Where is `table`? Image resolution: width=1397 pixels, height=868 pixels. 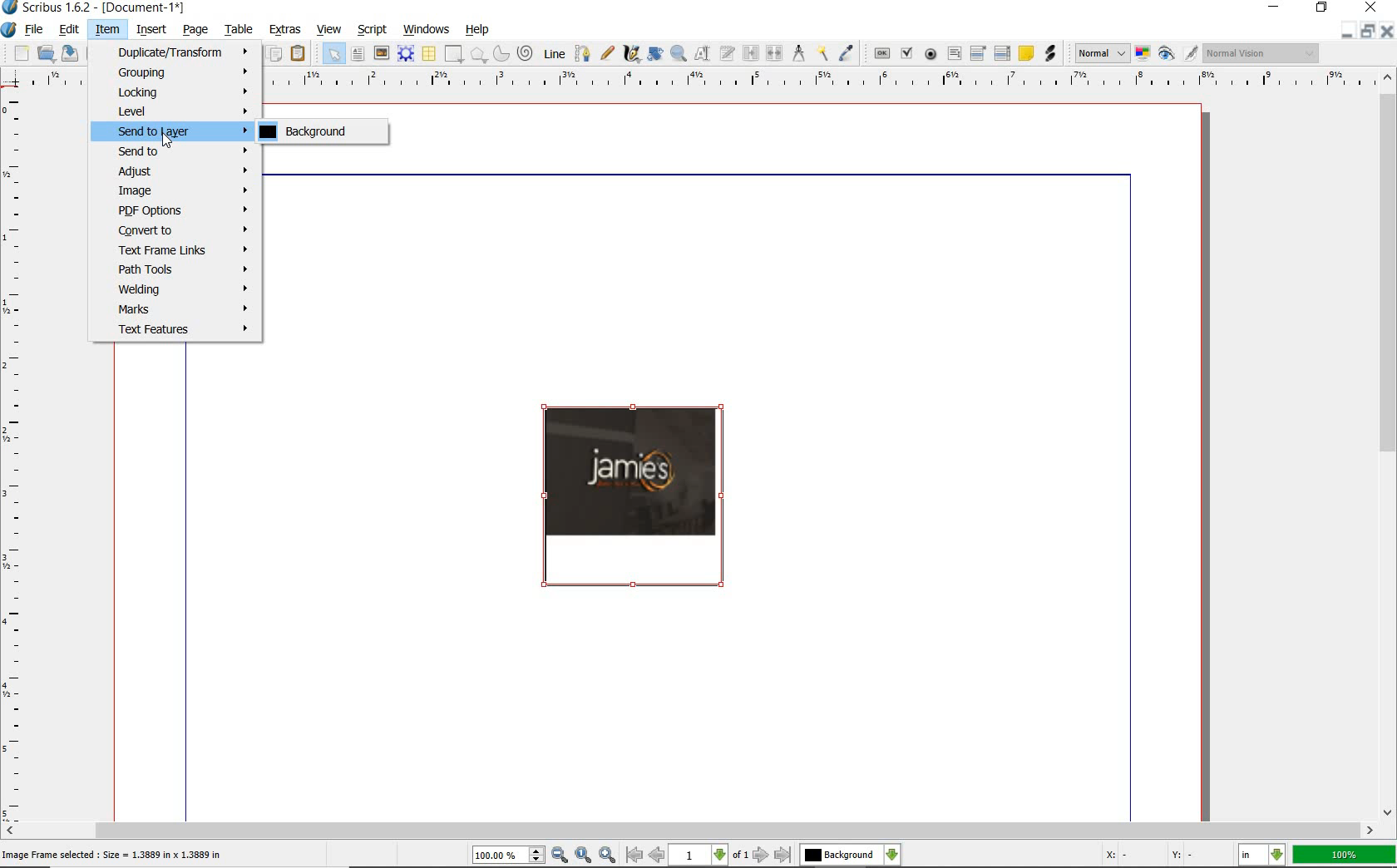 table is located at coordinates (240, 31).